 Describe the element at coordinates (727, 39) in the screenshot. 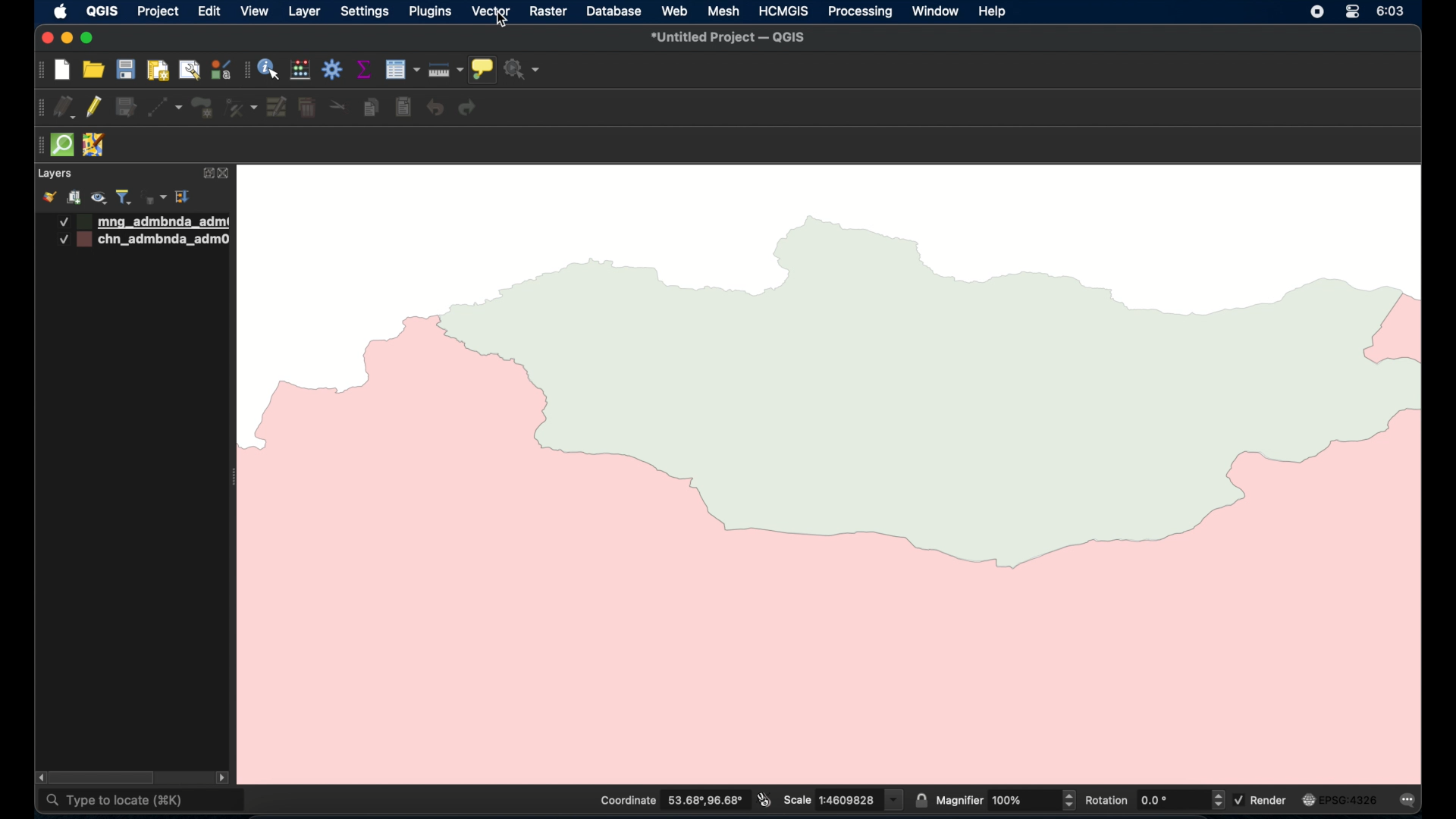

I see `untitled project - QGIS` at that location.